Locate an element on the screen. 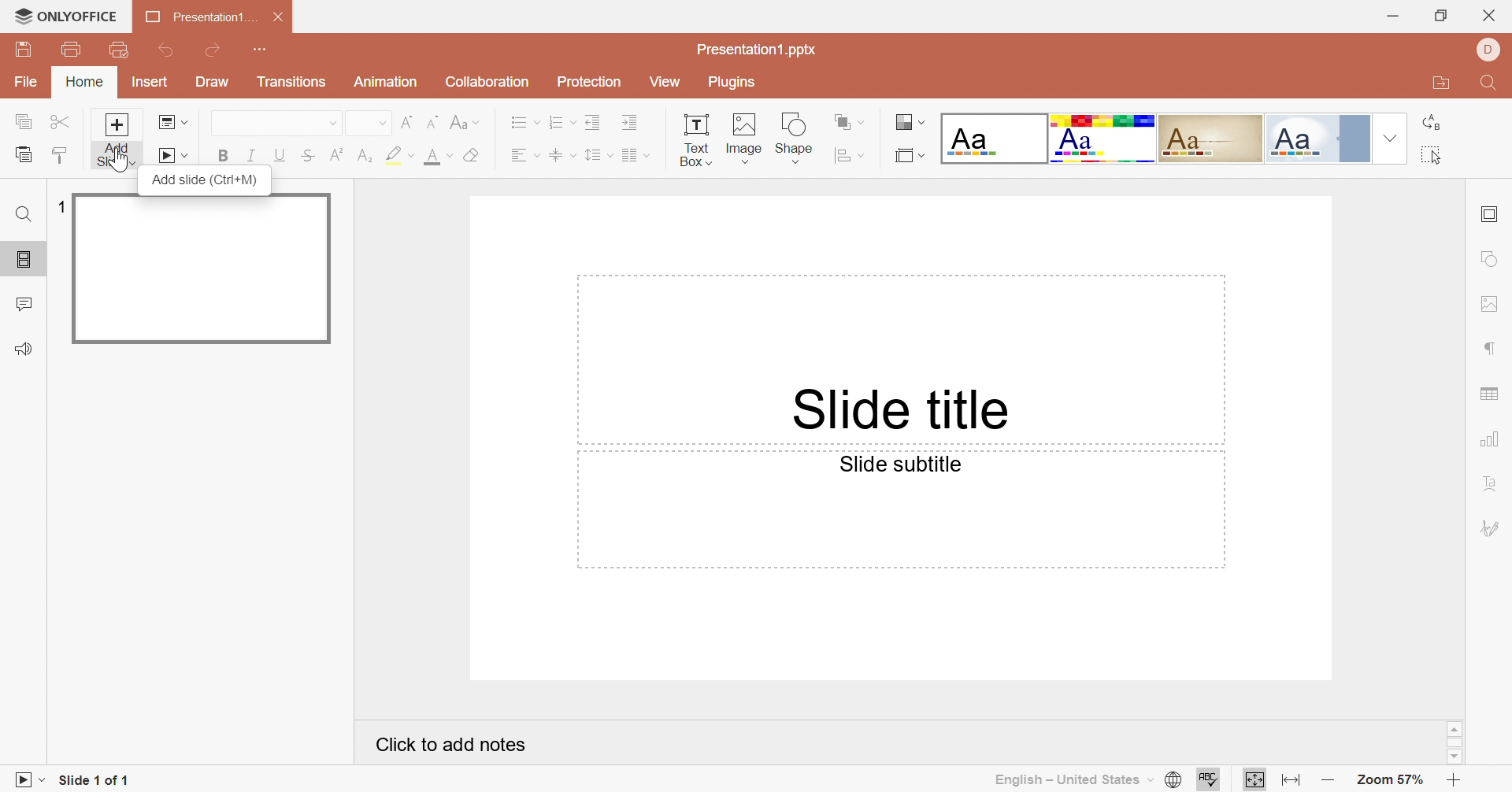 Image resolution: width=1512 pixels, height=792 pixels. Paste is located at coordinates (23, 156).